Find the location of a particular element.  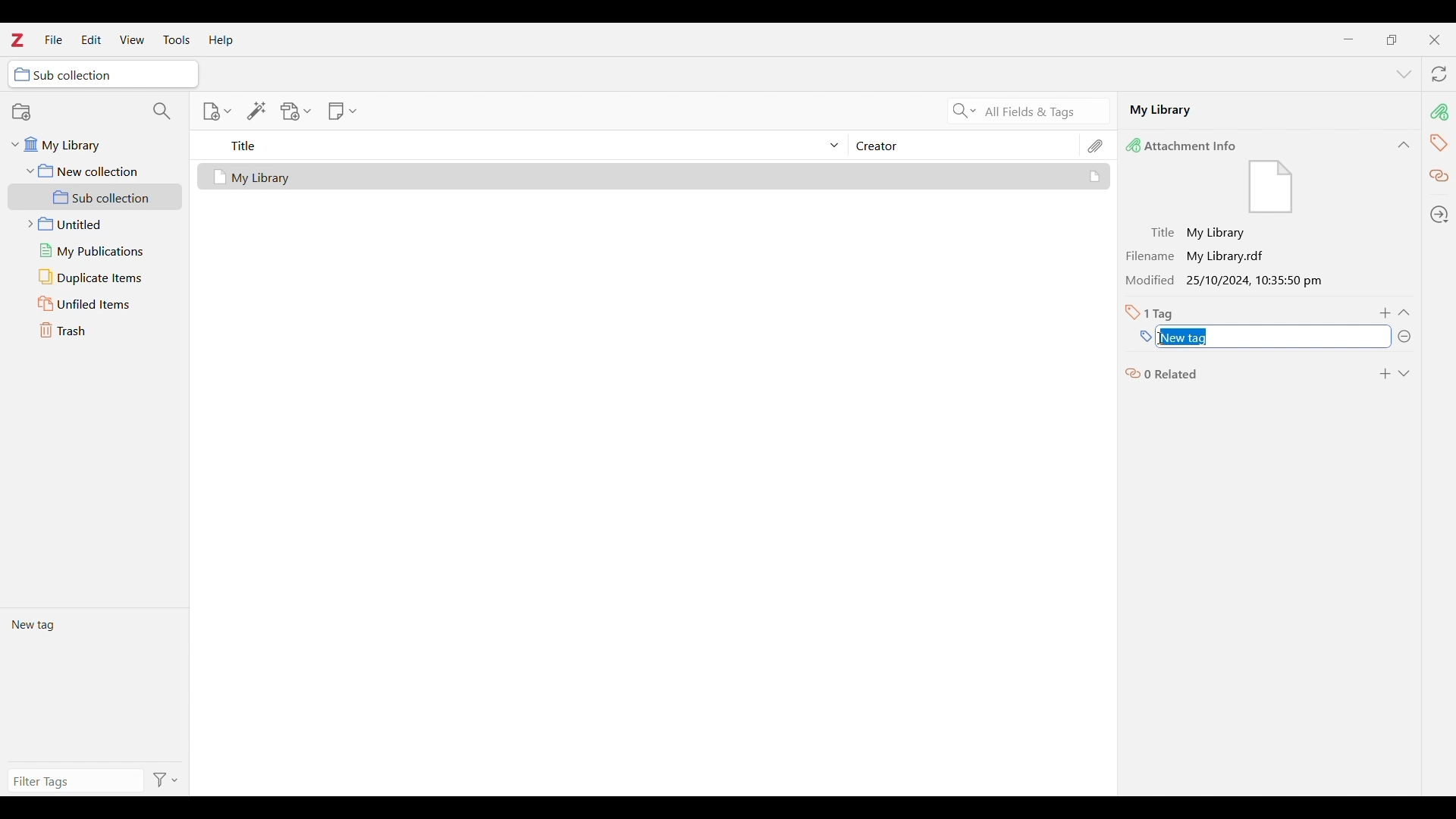

Total number of tags is located at coordinates (1150, 312).